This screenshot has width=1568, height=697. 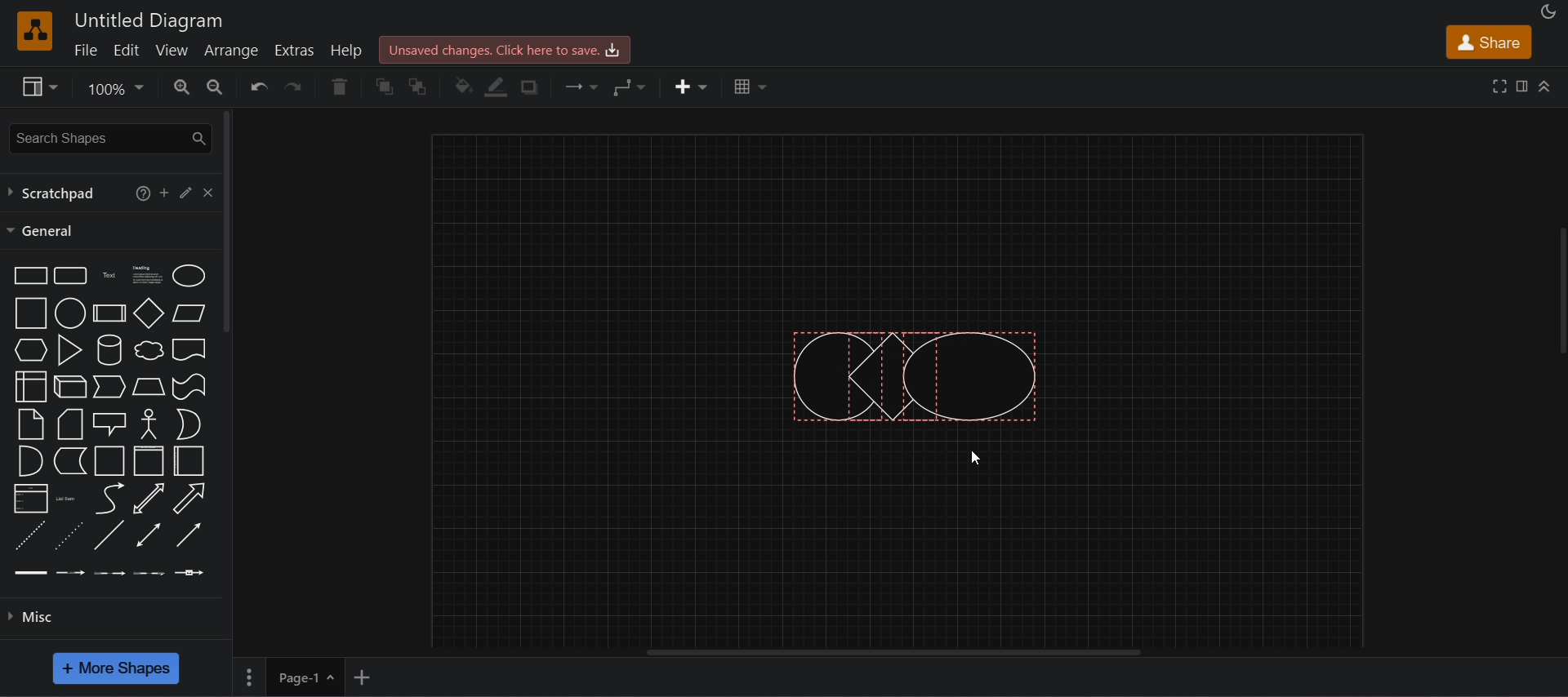 I want to click on more shapes, so click(x=114, y=668).